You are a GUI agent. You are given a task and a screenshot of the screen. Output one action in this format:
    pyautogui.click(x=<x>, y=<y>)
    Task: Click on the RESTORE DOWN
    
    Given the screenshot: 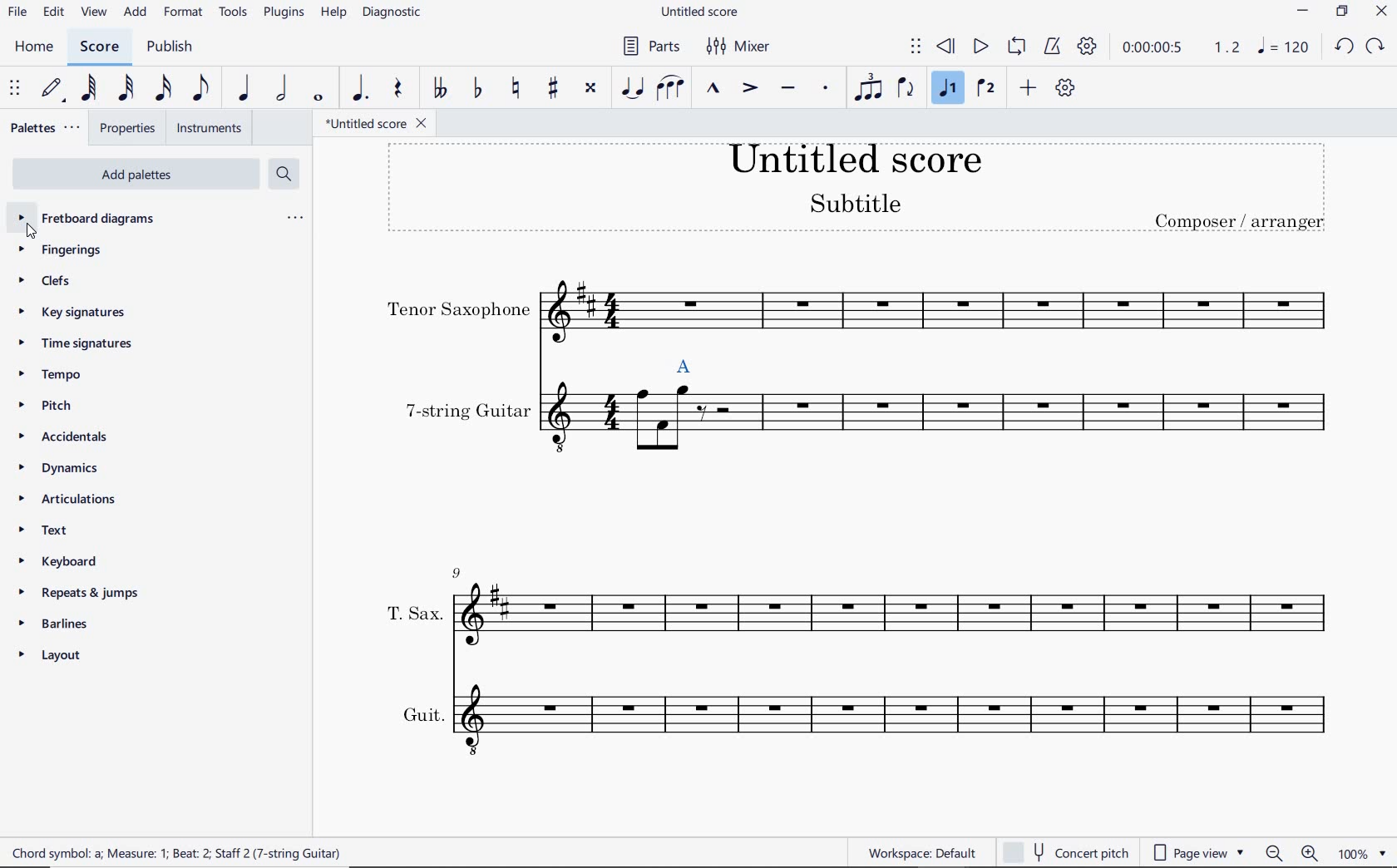 What is the action you would take?
    pyautogui.click(x=1341, y=13)
    